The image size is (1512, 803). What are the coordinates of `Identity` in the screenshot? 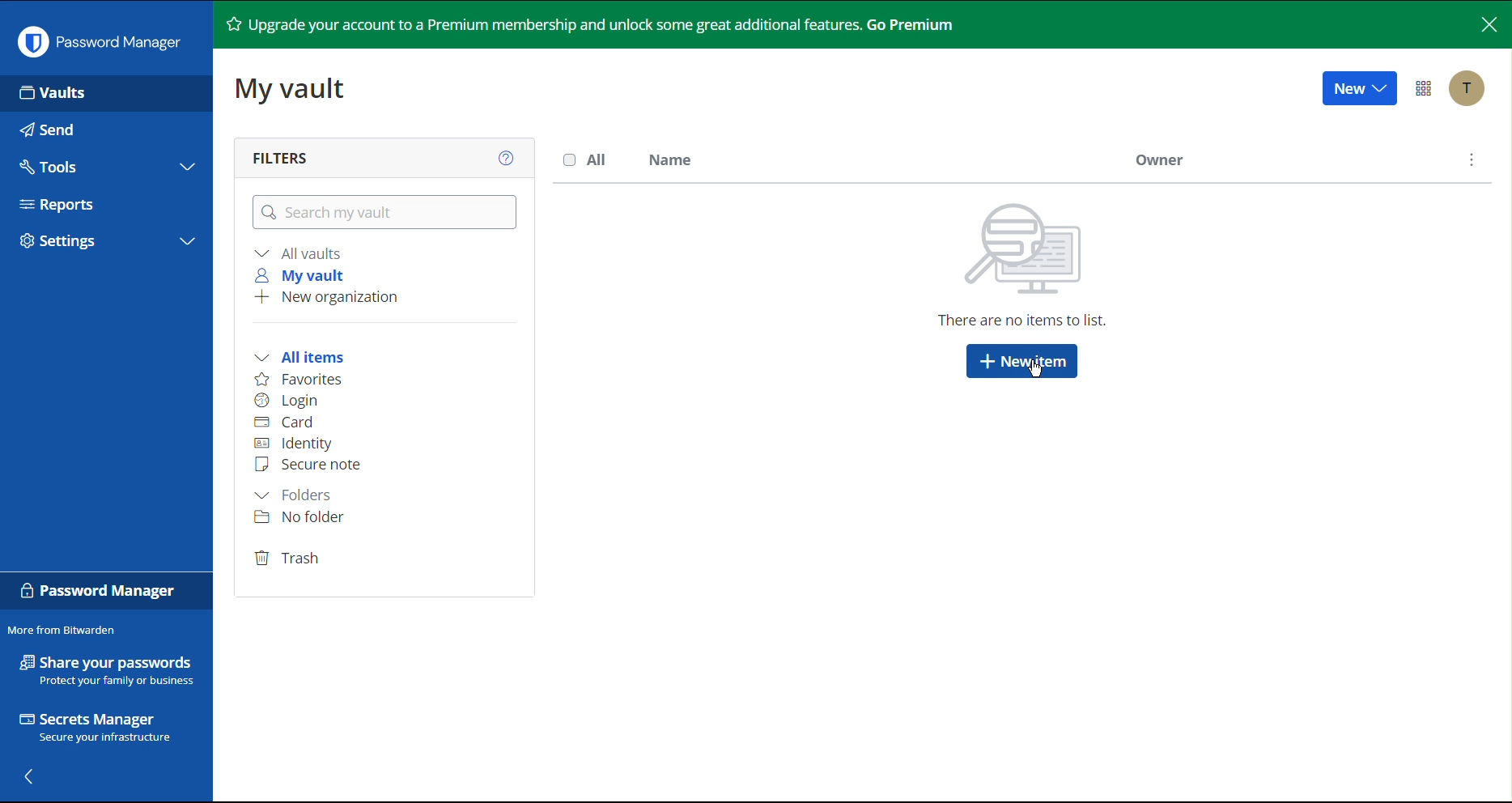 It's located at (291, 444).